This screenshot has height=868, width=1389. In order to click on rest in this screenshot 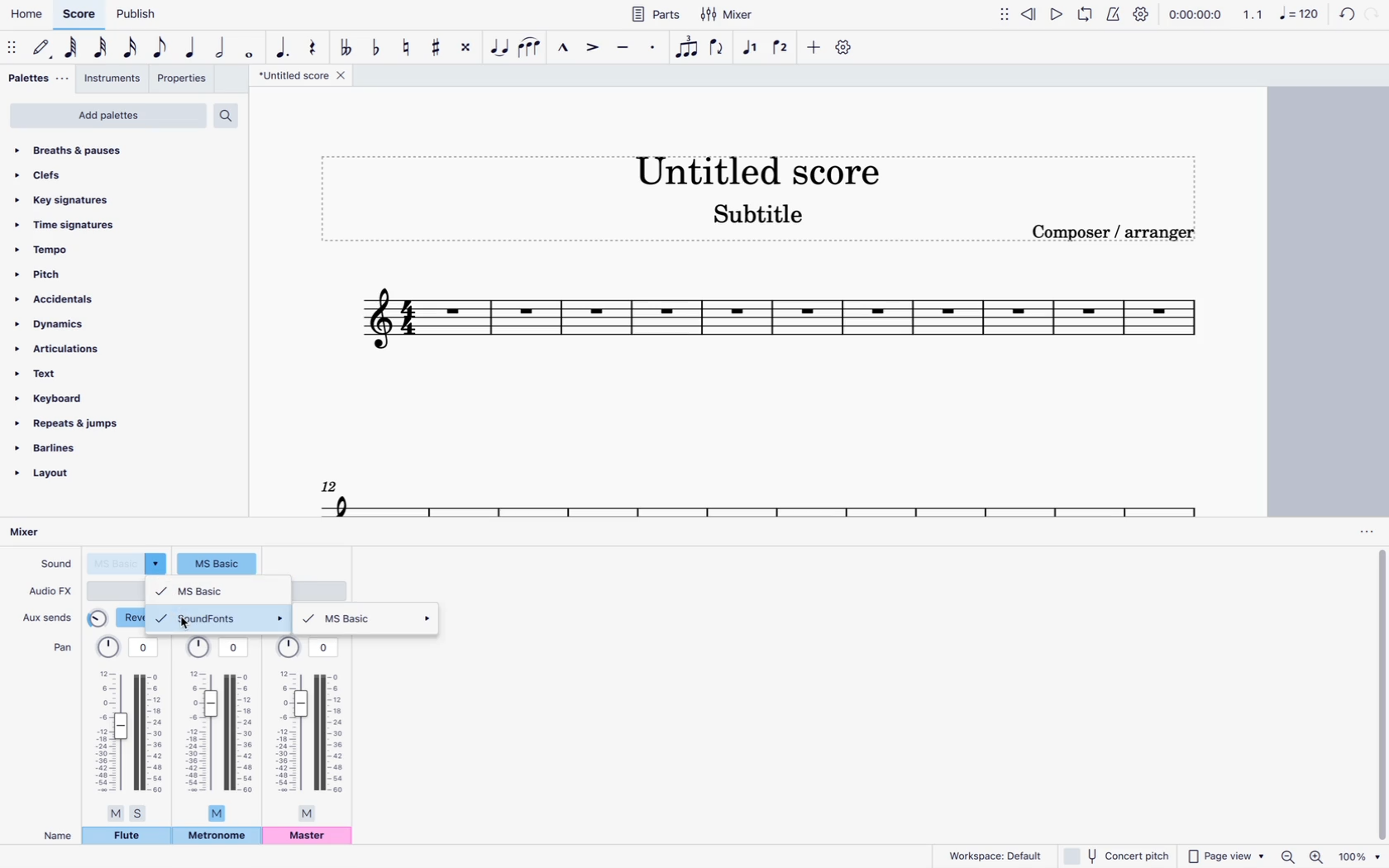, I will do `click(313, 44)`.